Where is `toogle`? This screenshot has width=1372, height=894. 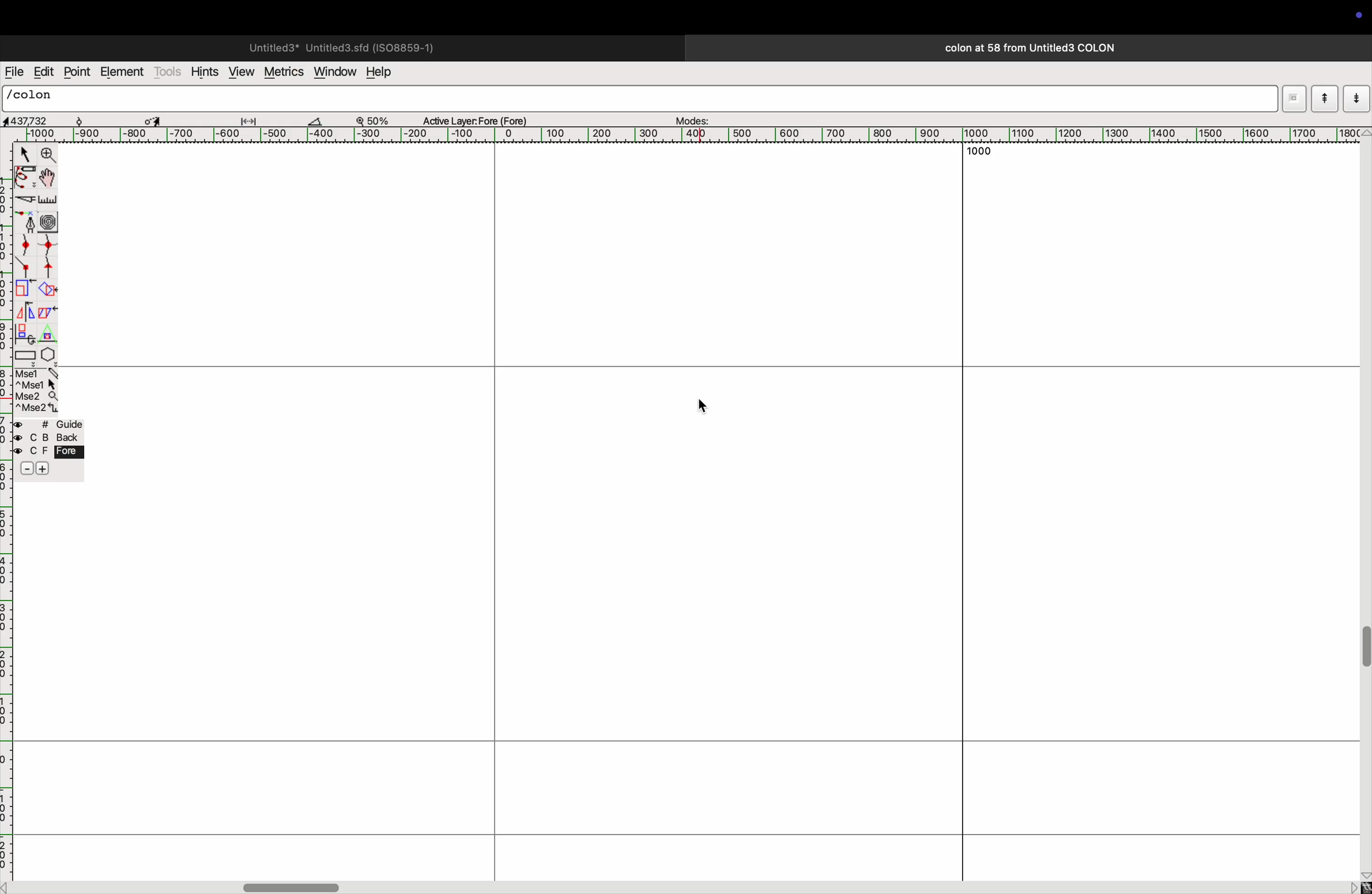 toogle is located at coordinates (47, 179).